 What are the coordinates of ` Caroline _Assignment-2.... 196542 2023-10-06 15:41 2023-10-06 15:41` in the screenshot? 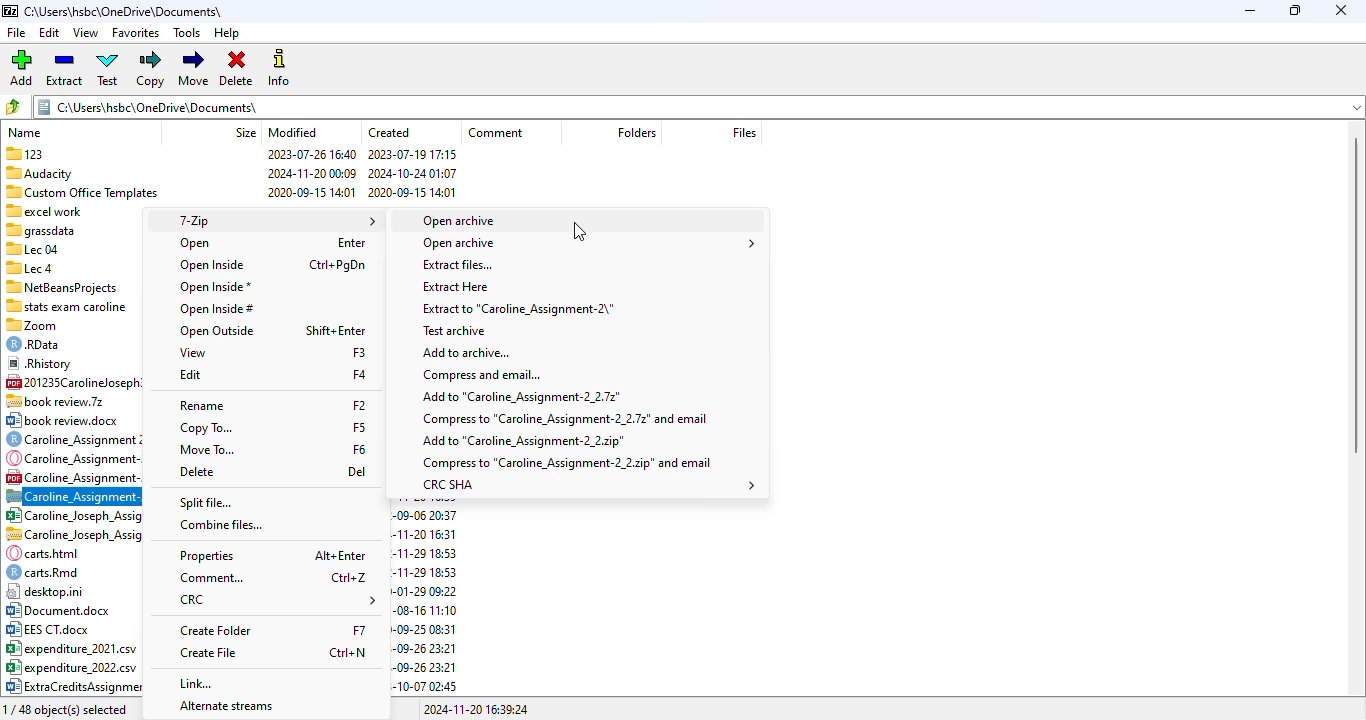 It's located at (71, 476).